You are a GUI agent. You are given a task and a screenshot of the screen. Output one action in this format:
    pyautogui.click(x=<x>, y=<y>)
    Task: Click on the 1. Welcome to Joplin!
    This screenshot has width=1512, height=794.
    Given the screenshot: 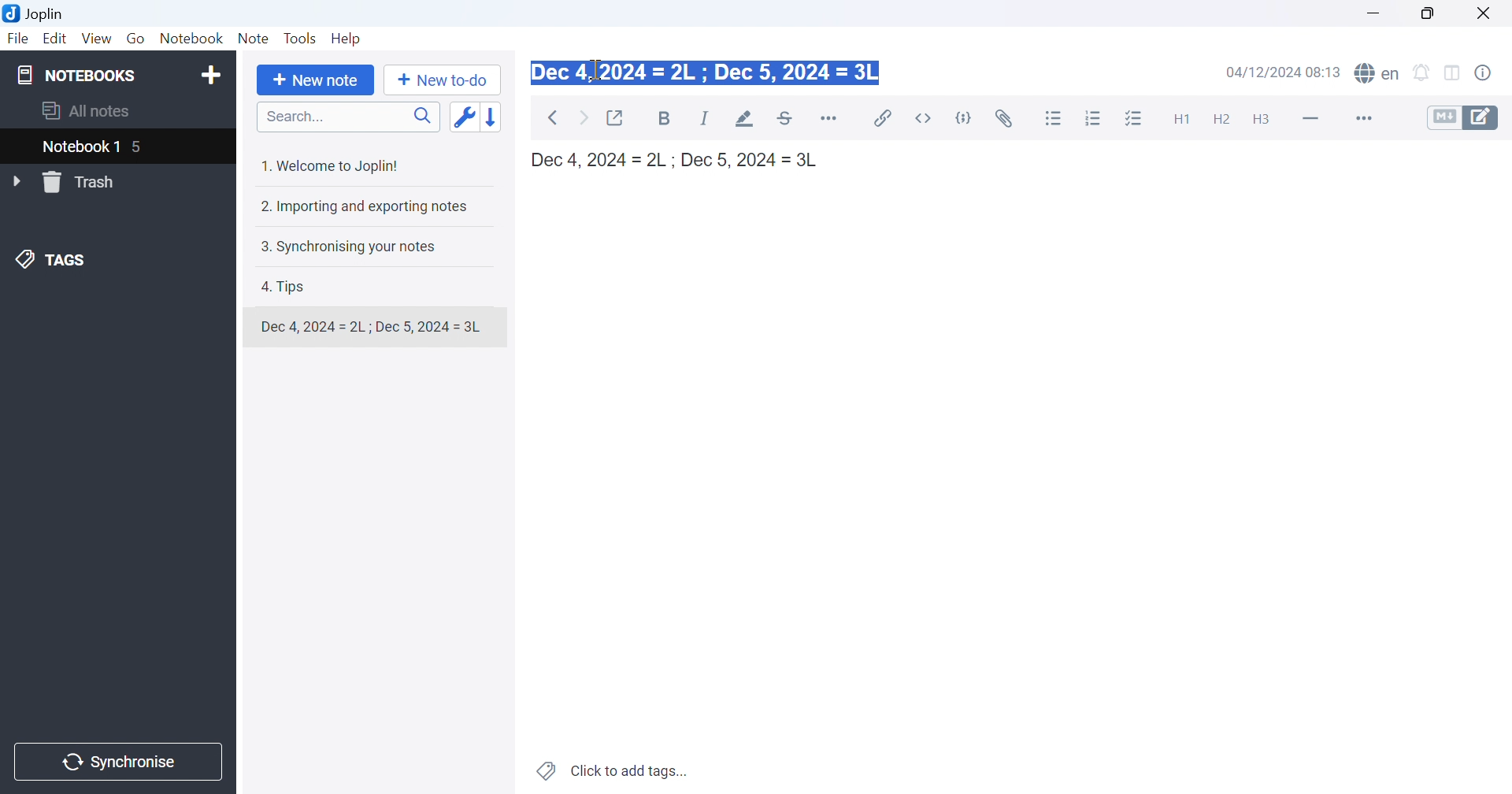 What is the action you would take?
    pyautogui.click(x=333, y=163)
    